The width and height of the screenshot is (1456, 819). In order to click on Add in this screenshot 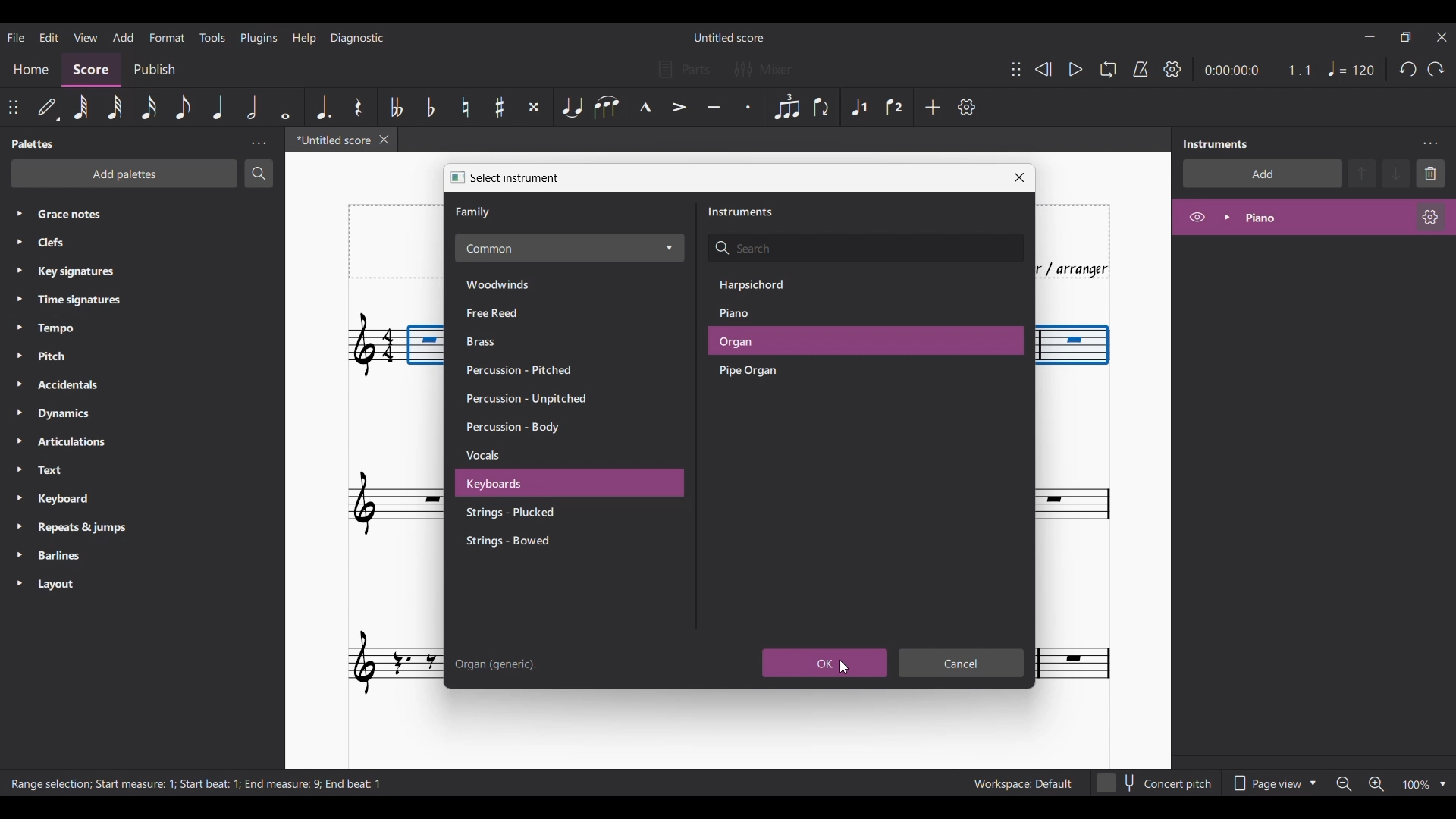, I will do `click(933, 107)`.